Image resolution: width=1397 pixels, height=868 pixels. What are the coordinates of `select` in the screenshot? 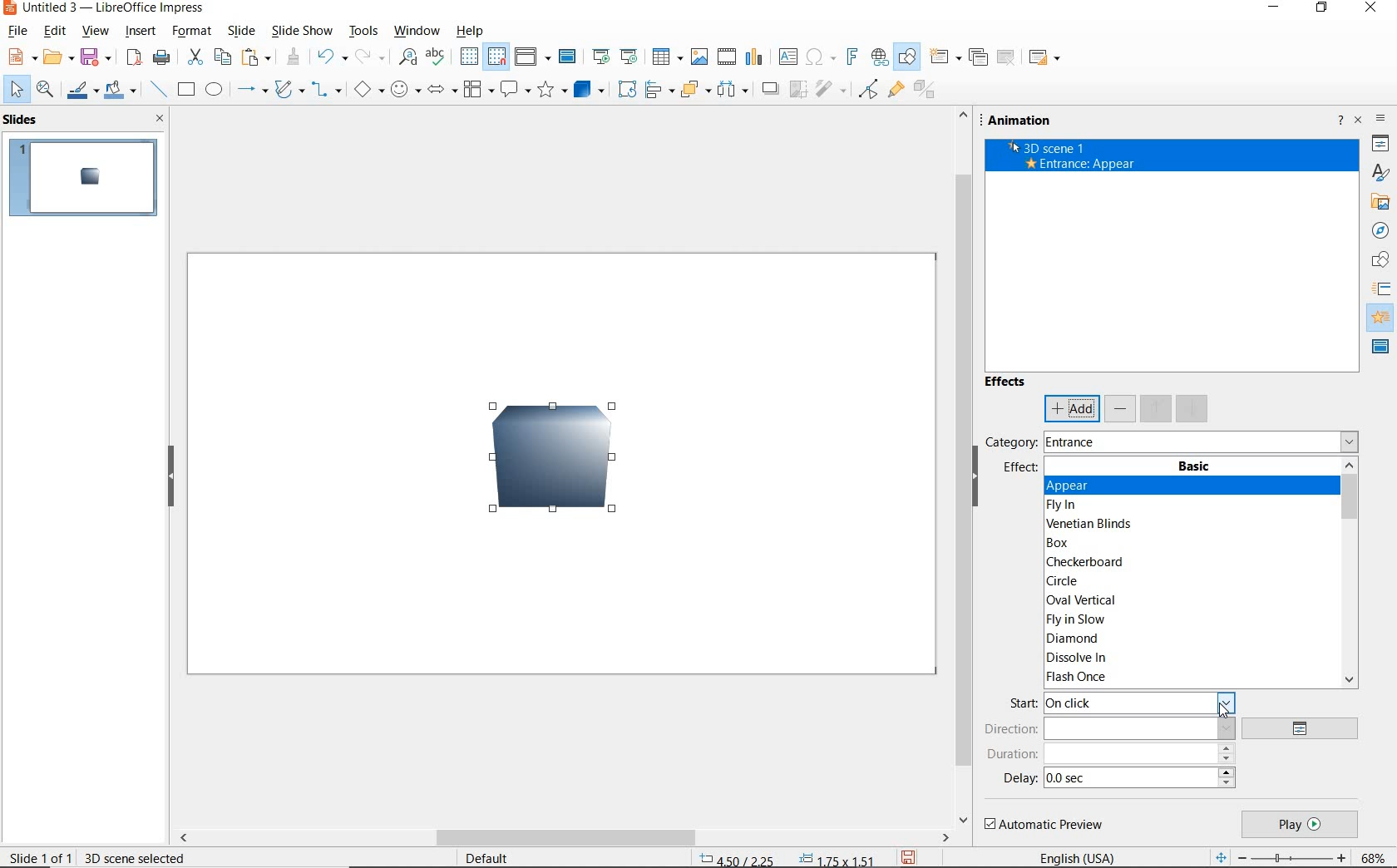 It's located at (14, 89).